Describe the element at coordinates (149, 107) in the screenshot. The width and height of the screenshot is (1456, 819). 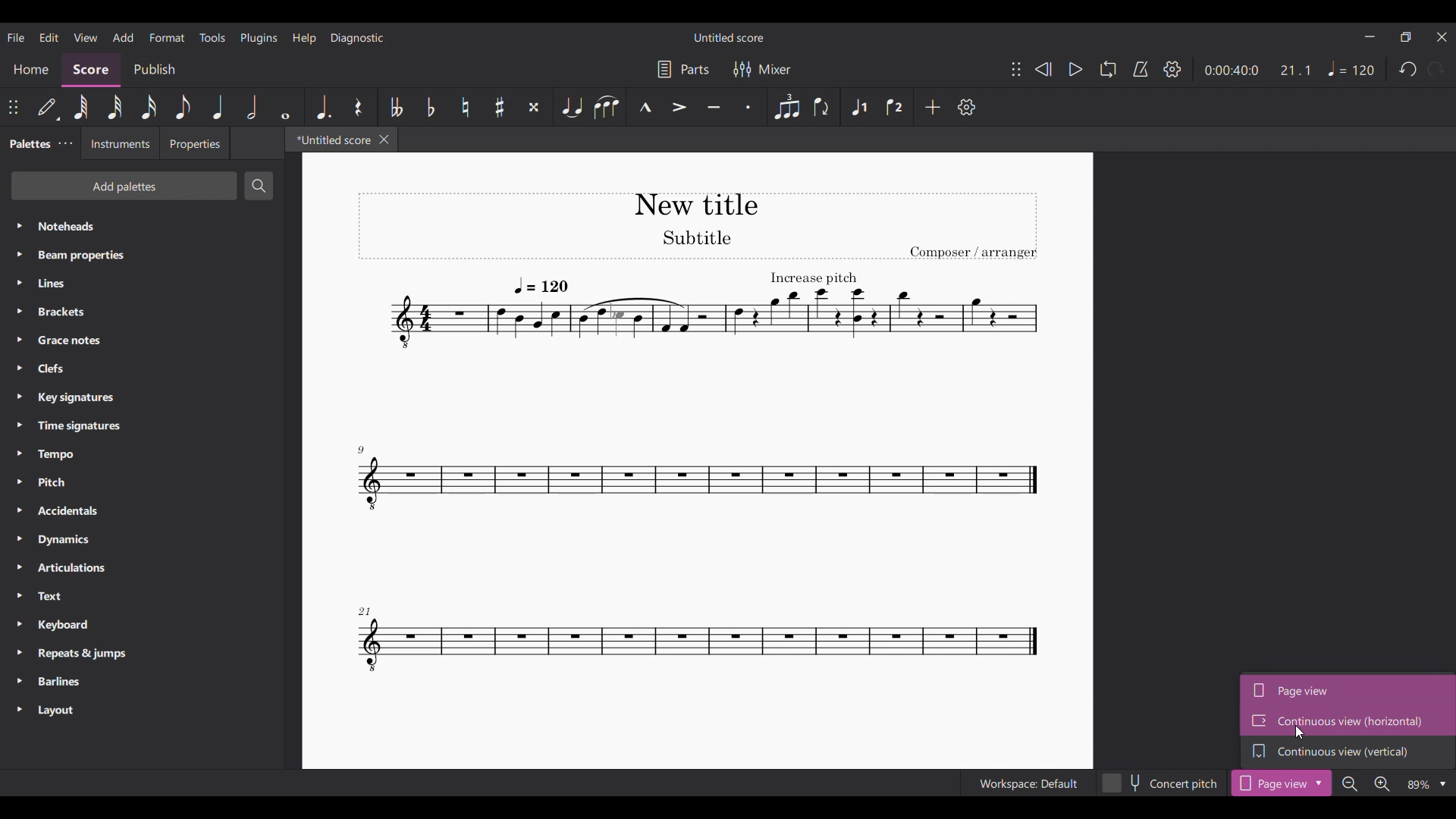
I see `16th note` at that location.